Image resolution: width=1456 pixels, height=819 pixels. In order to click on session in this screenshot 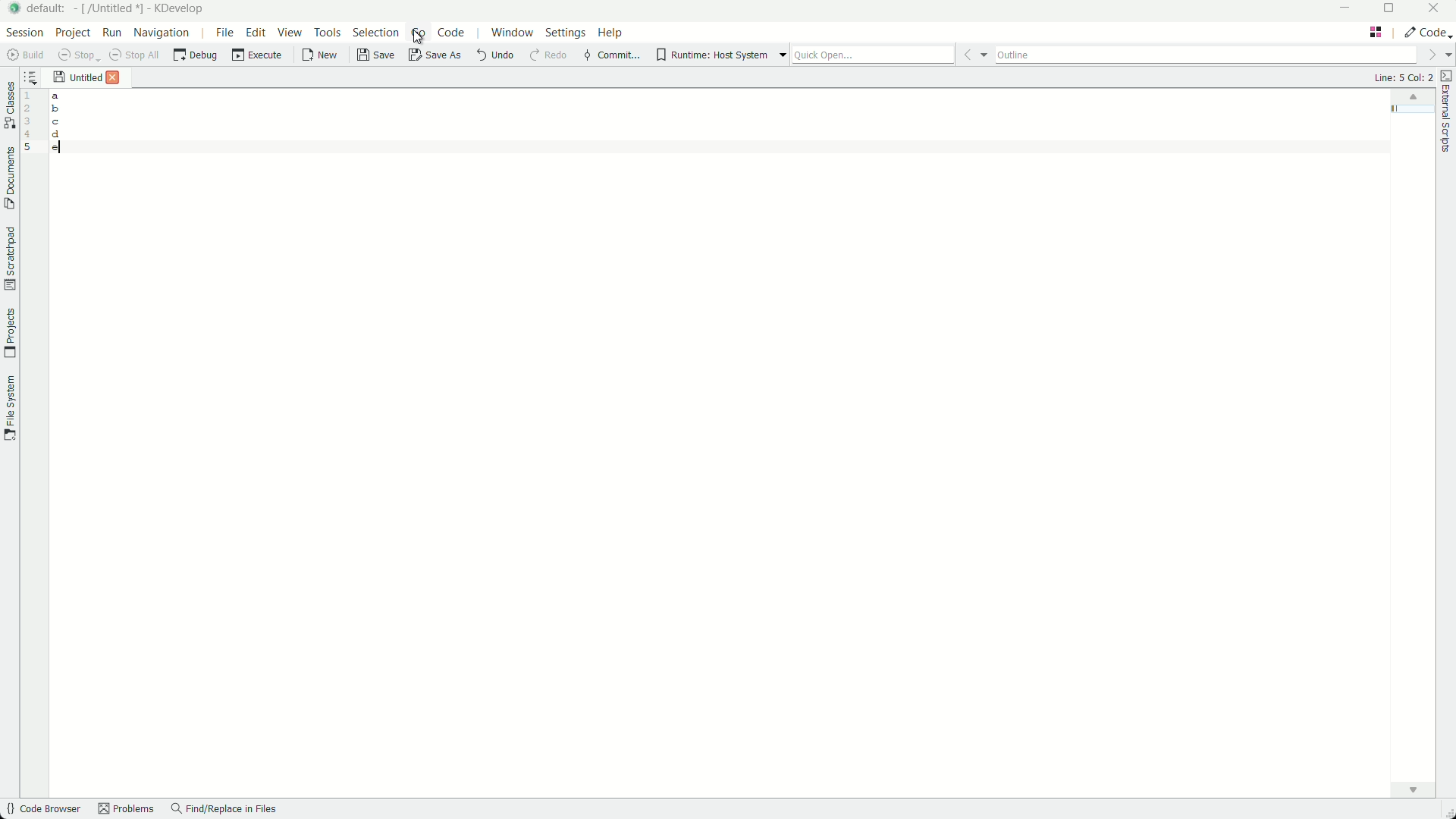, I will do `click(25, 33)`.